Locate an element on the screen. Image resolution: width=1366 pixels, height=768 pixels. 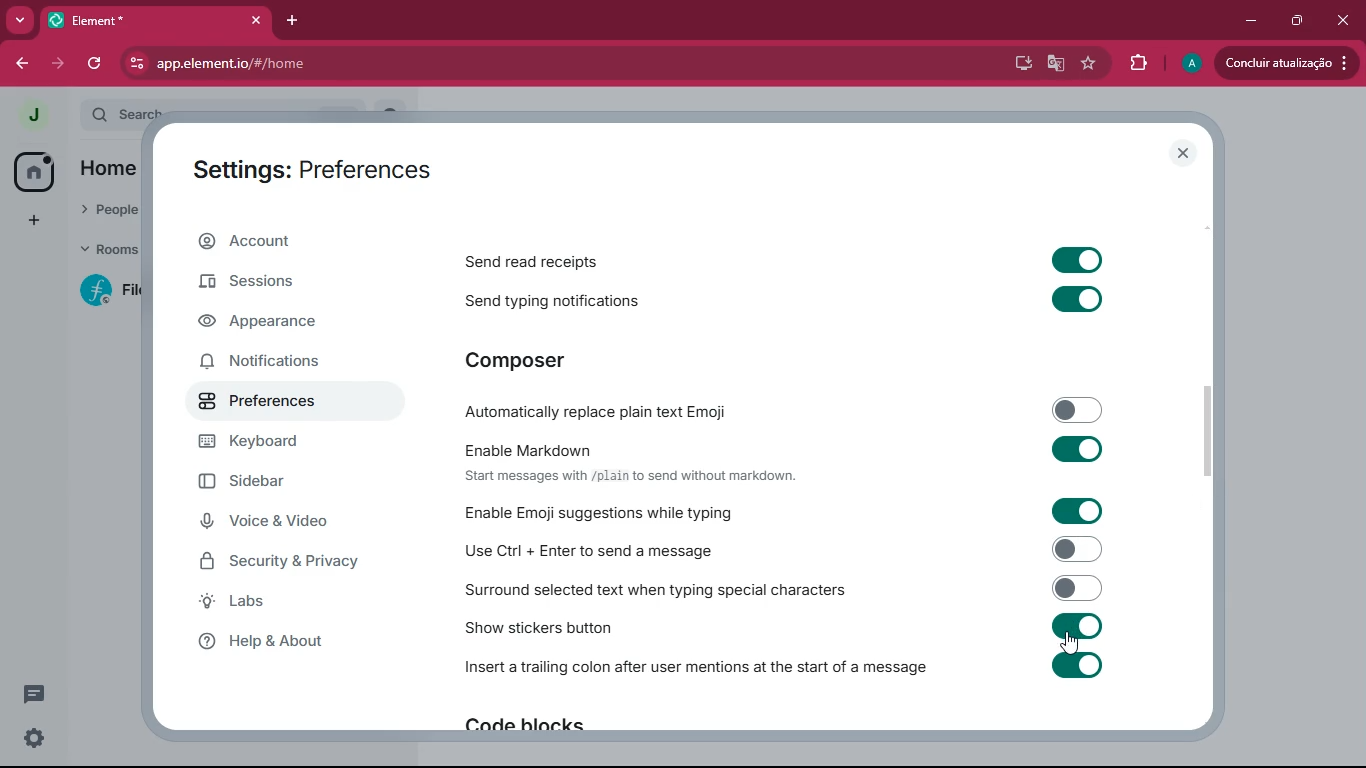
desktop is located at coordinates (1018, 65).